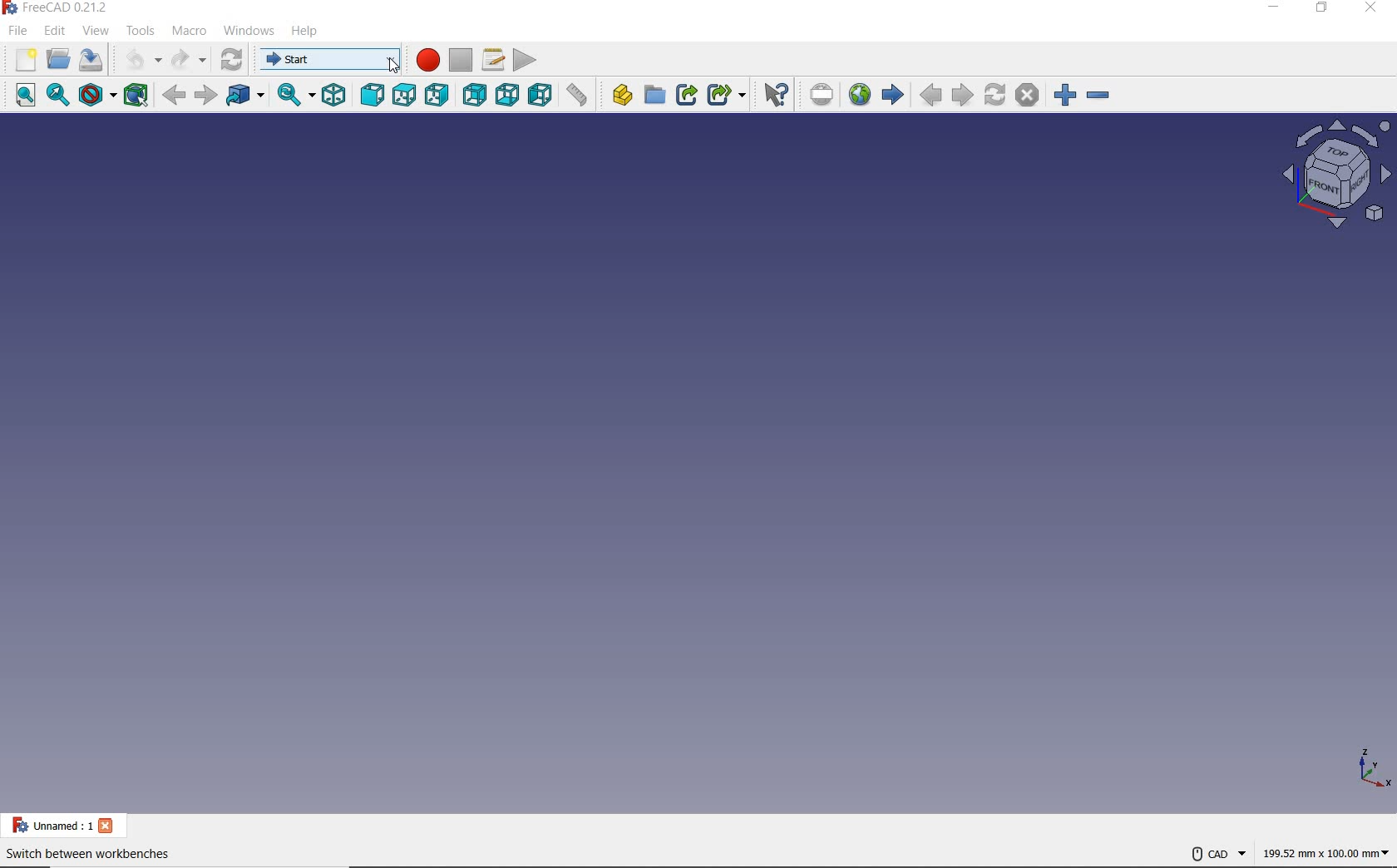 This screenshot has height=868, width=1397. I want to click on ZOOM IN, so click(1064, 94).